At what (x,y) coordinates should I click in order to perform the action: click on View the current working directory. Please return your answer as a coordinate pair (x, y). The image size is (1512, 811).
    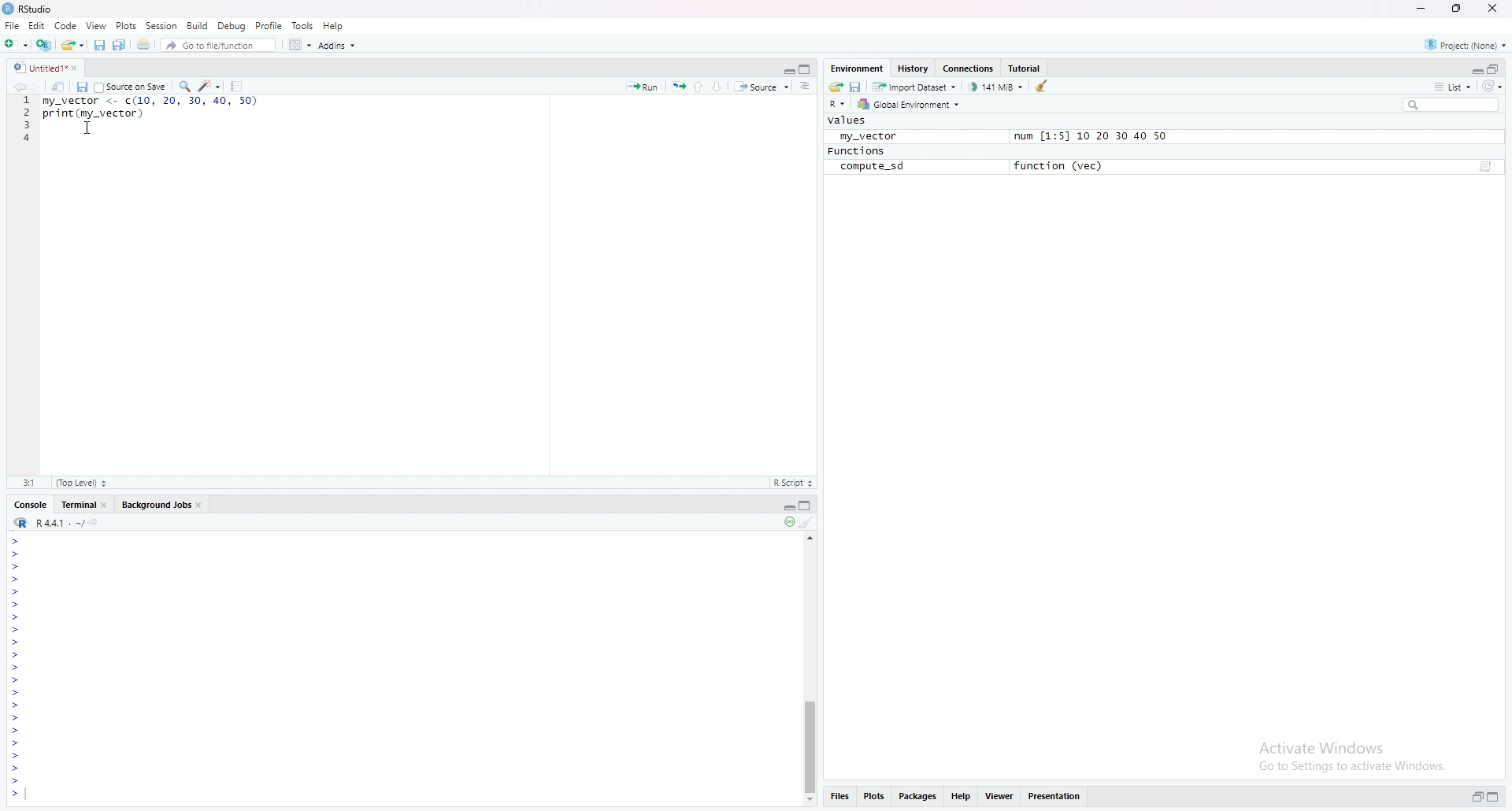
    Looking at the image, I should click on (98, 521).